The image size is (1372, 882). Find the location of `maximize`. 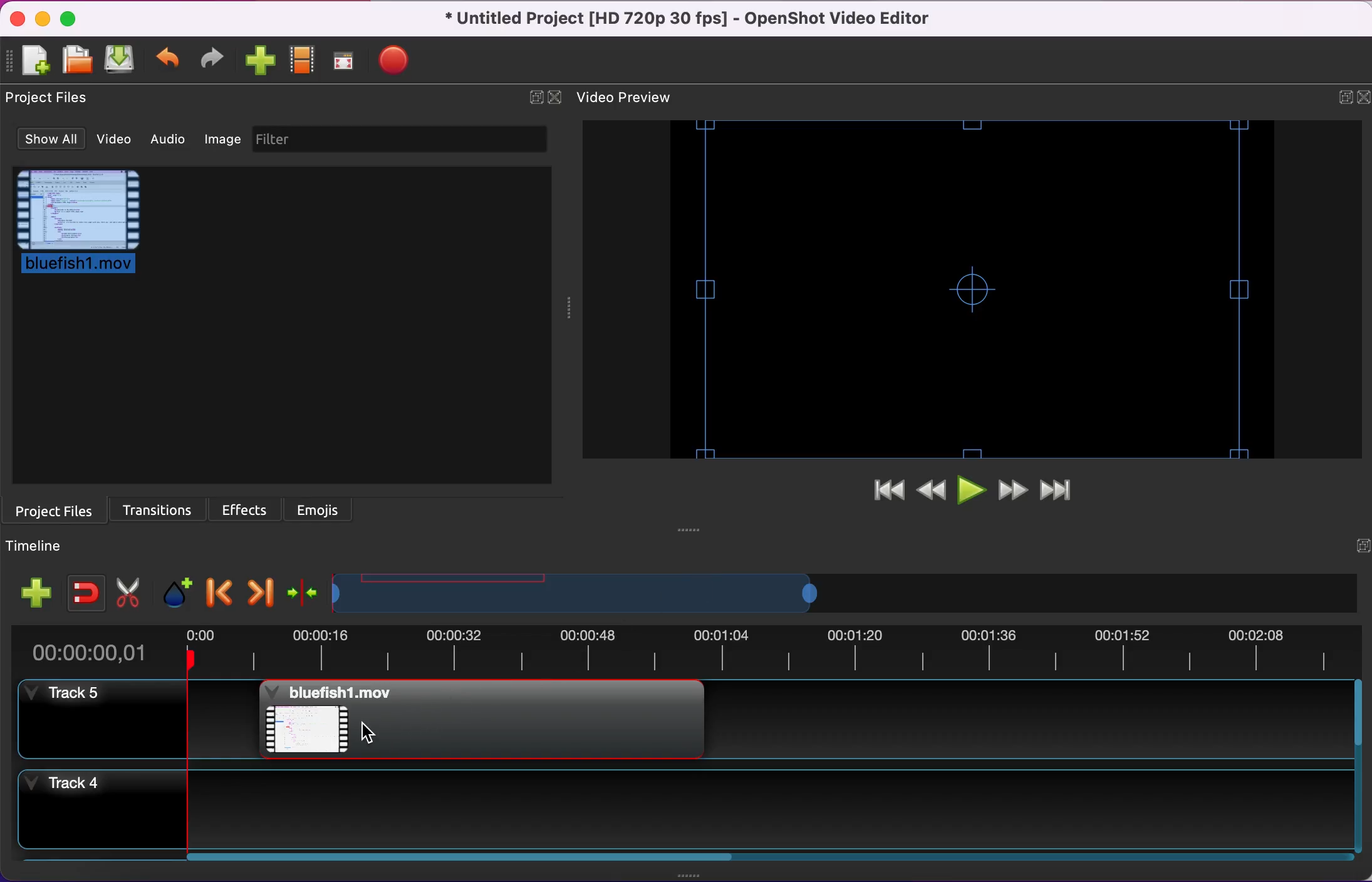

maximize is located at coordinates (72, 22).